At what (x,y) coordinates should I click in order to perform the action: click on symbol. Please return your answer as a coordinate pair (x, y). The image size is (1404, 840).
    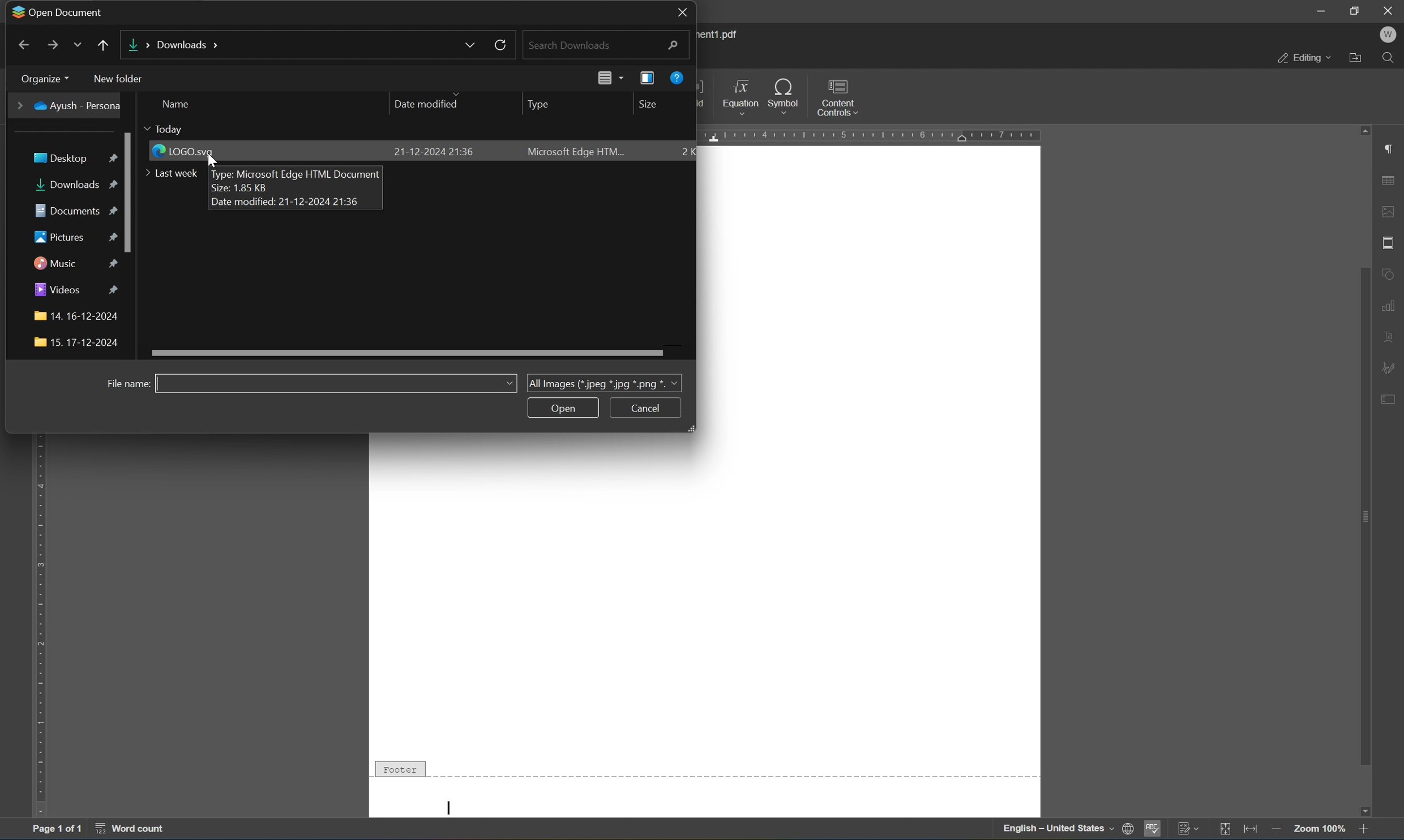
    Looking at the image, I should click on (784, 95).